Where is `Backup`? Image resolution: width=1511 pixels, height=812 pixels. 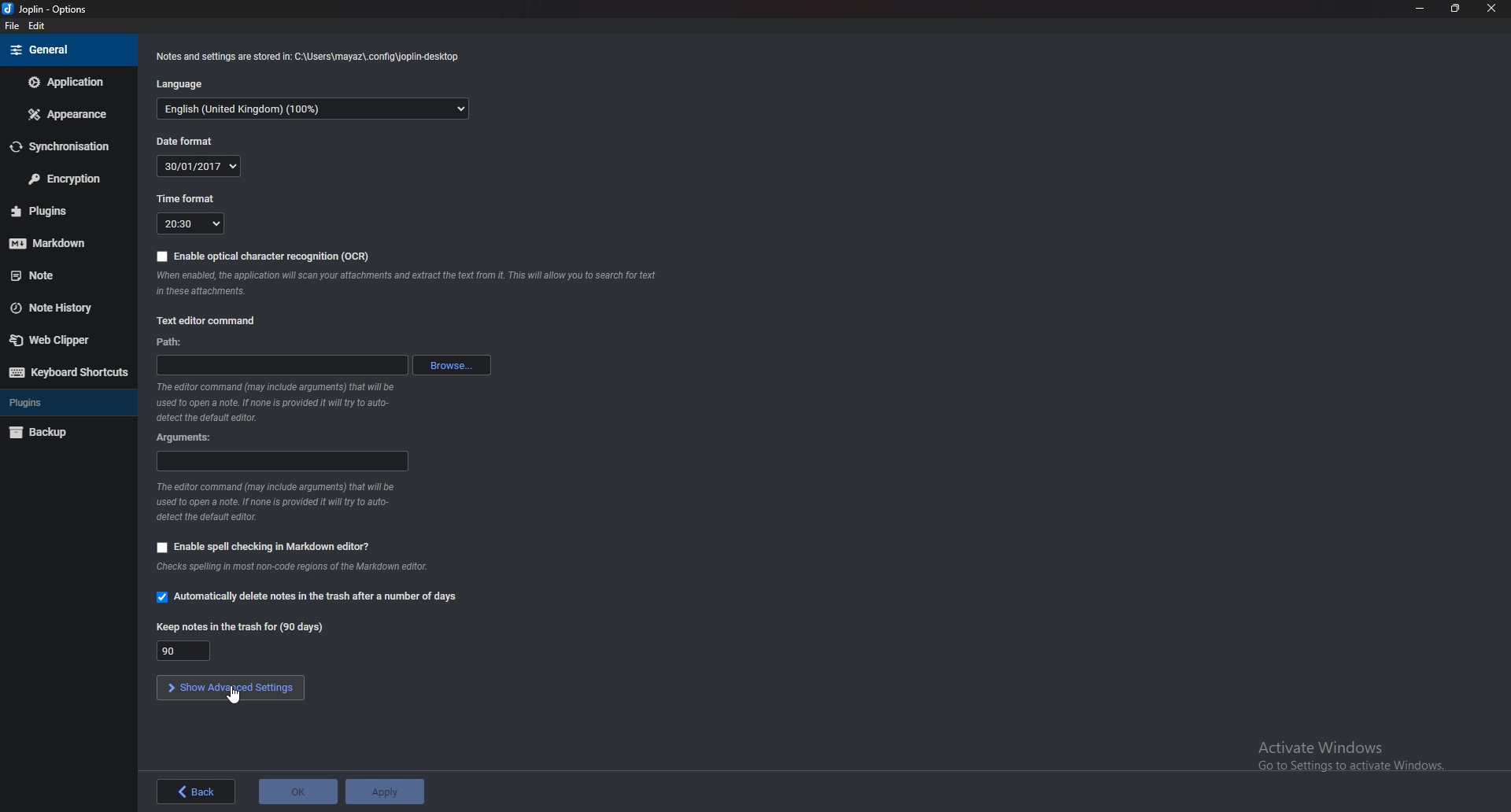 Backup is located at coordinates (61, 433).